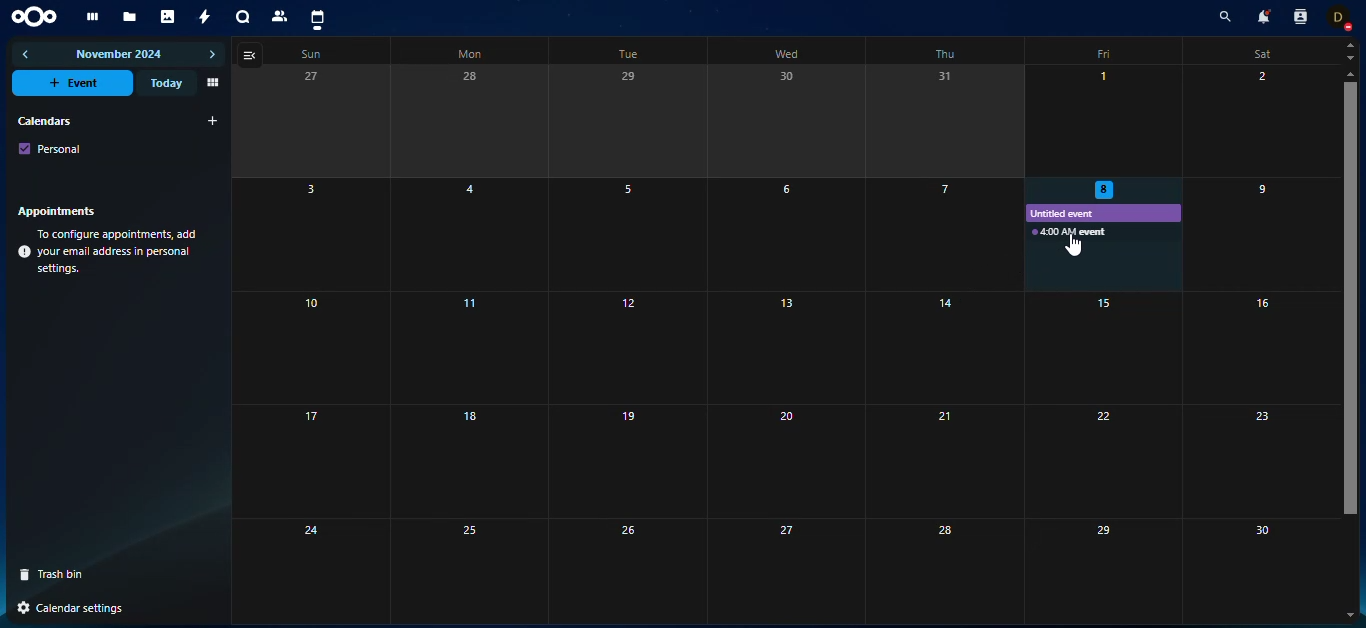 Image resolution: width=1366 pixels, height=628 pixels. I want to click on search, so click(1221, 18).